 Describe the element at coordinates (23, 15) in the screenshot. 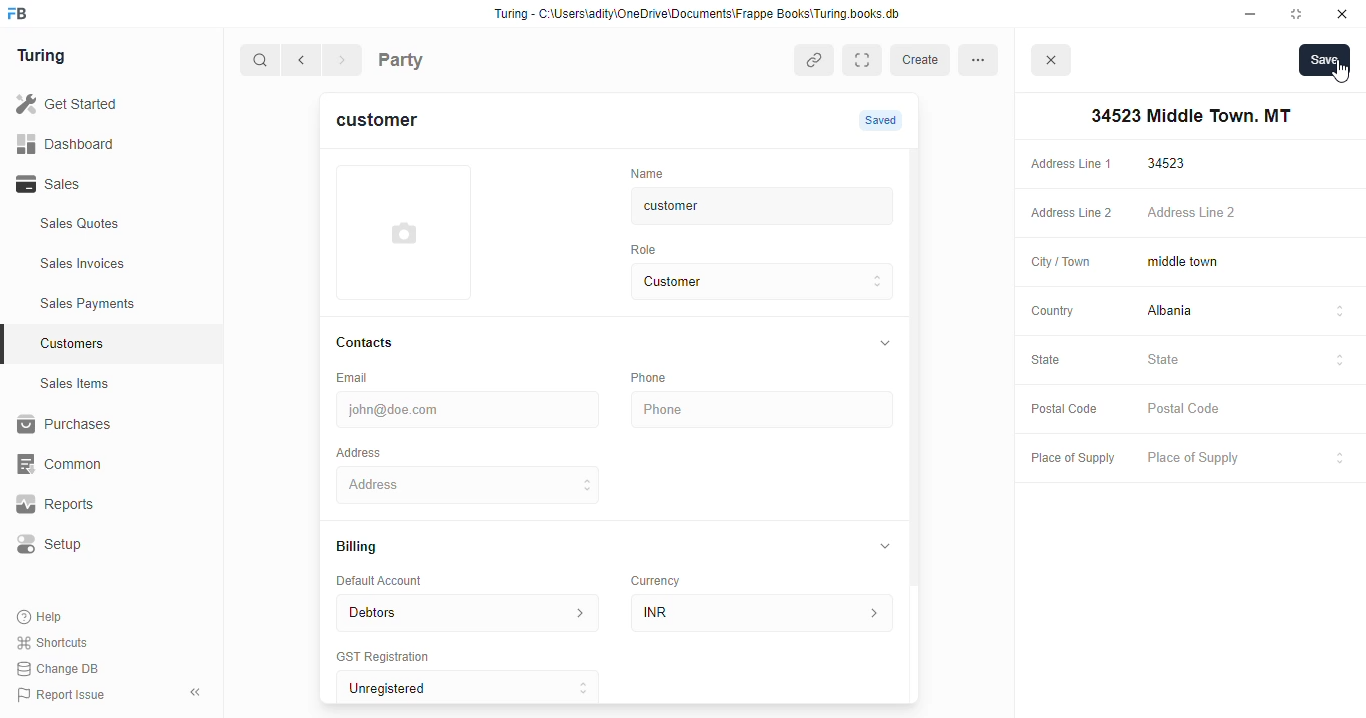

I see `frappebooks logo` at that location.